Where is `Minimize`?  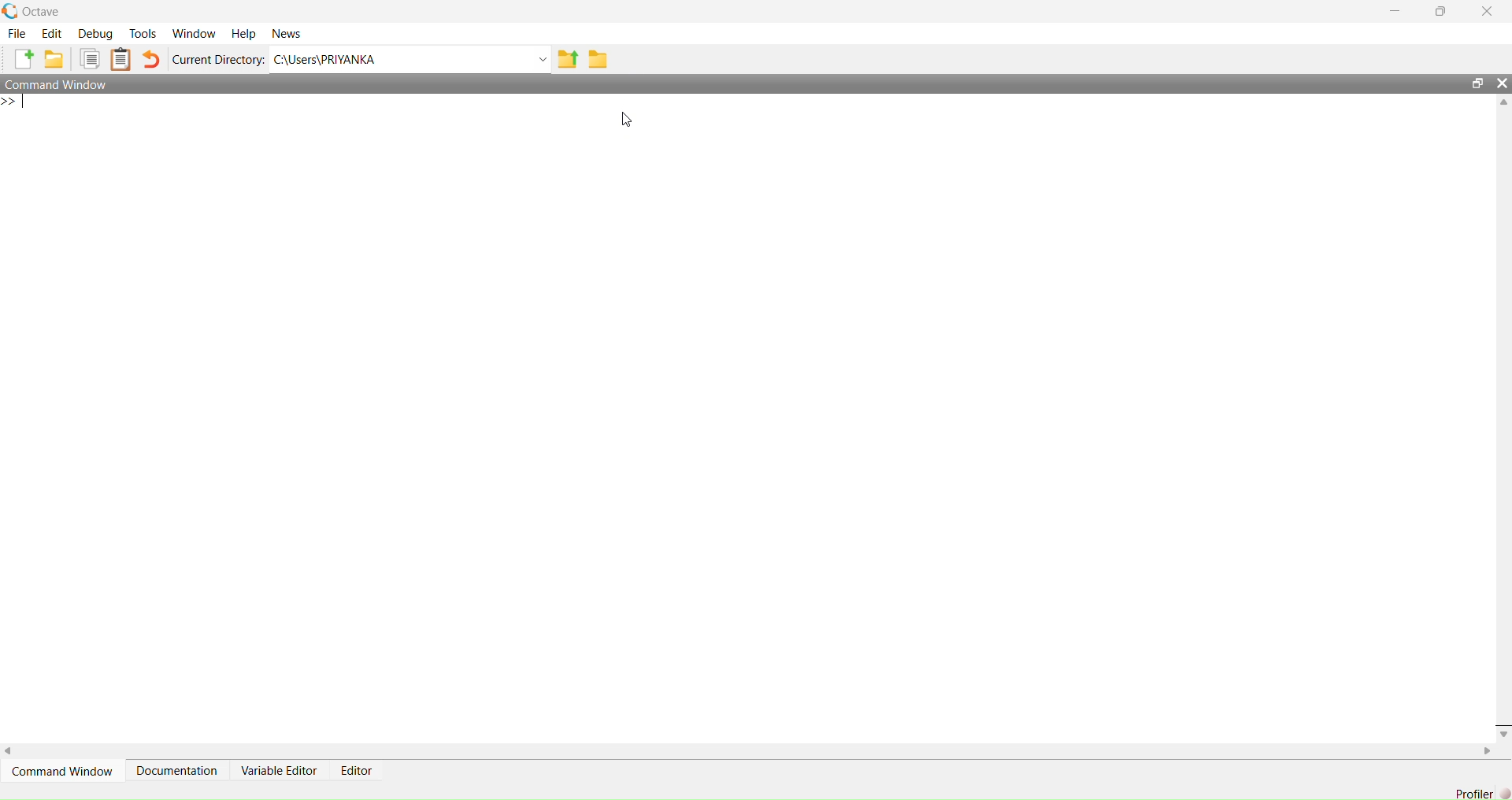
Minimize is located at coordinates (1398, 11).